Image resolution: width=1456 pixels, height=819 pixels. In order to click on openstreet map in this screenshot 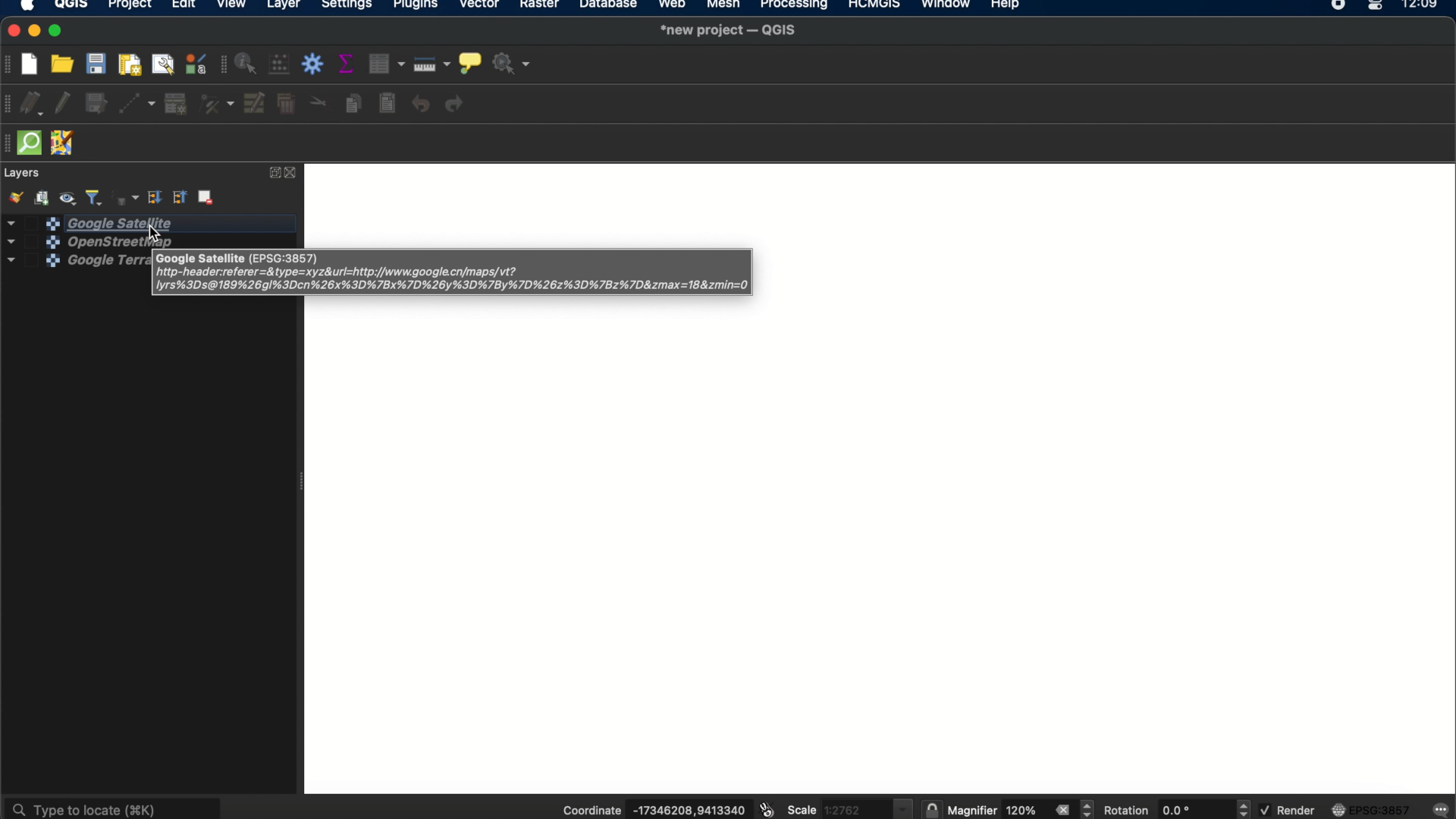, I will do `click(72, 241)`.